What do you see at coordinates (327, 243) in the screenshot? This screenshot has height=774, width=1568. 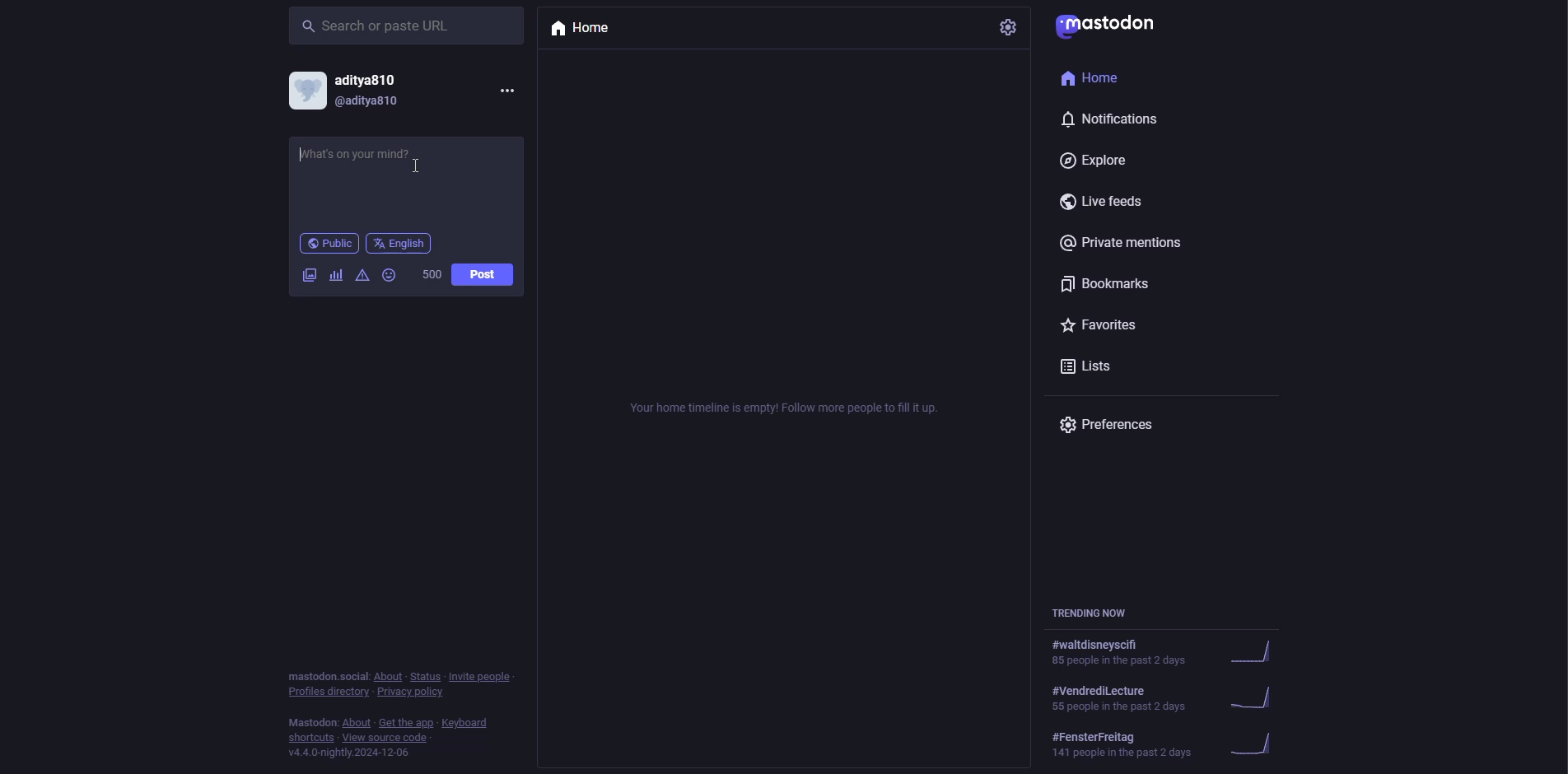 I see `public` at bounding box center [327, 243].